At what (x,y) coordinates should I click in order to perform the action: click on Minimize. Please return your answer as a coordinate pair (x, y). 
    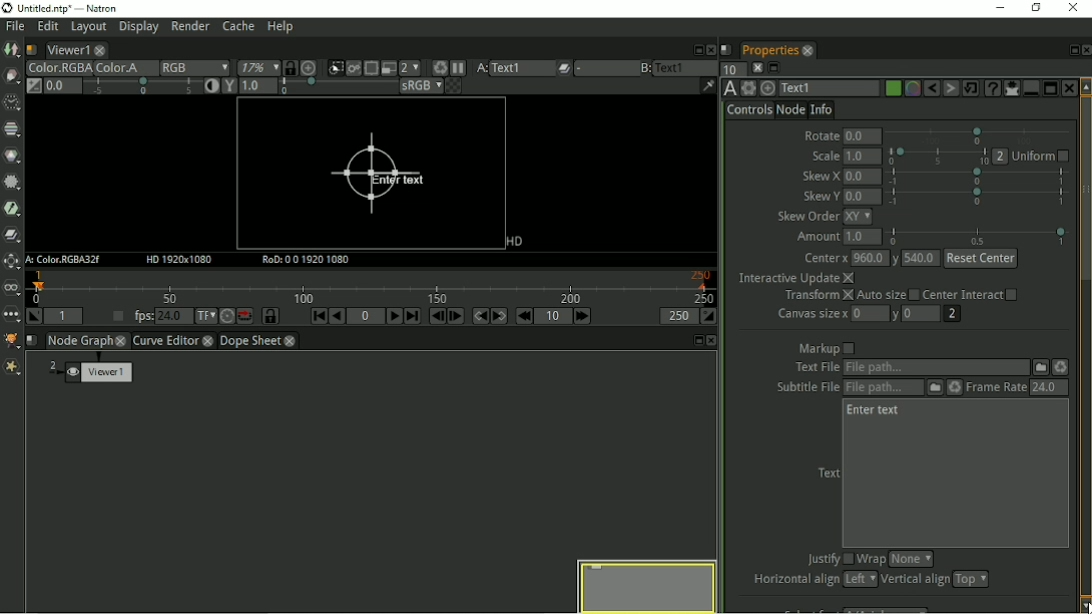
    Looking at the image, I should click on (1003, 8).